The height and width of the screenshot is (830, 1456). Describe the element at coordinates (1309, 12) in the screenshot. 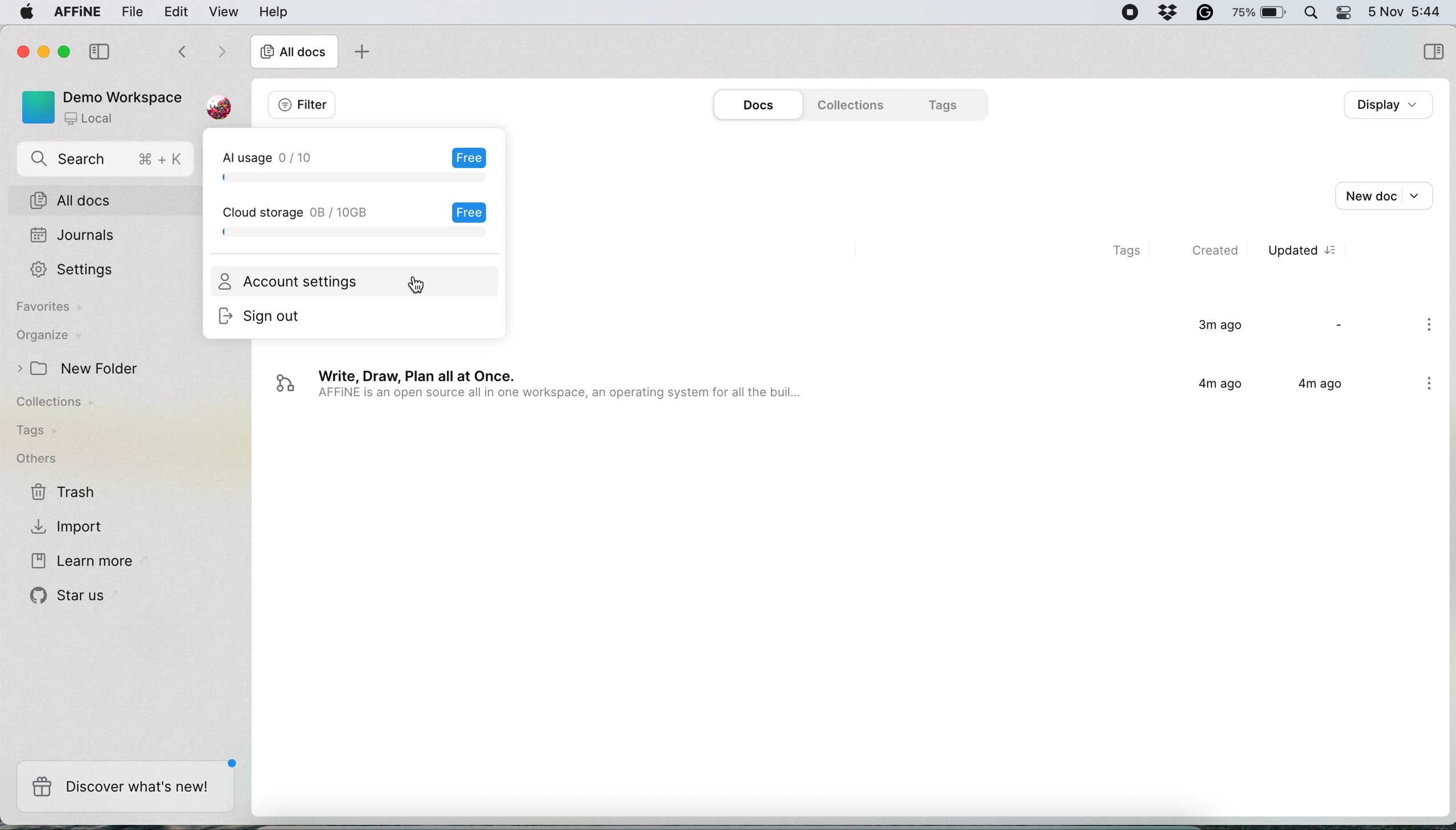

I see `spotlight search` at that location.